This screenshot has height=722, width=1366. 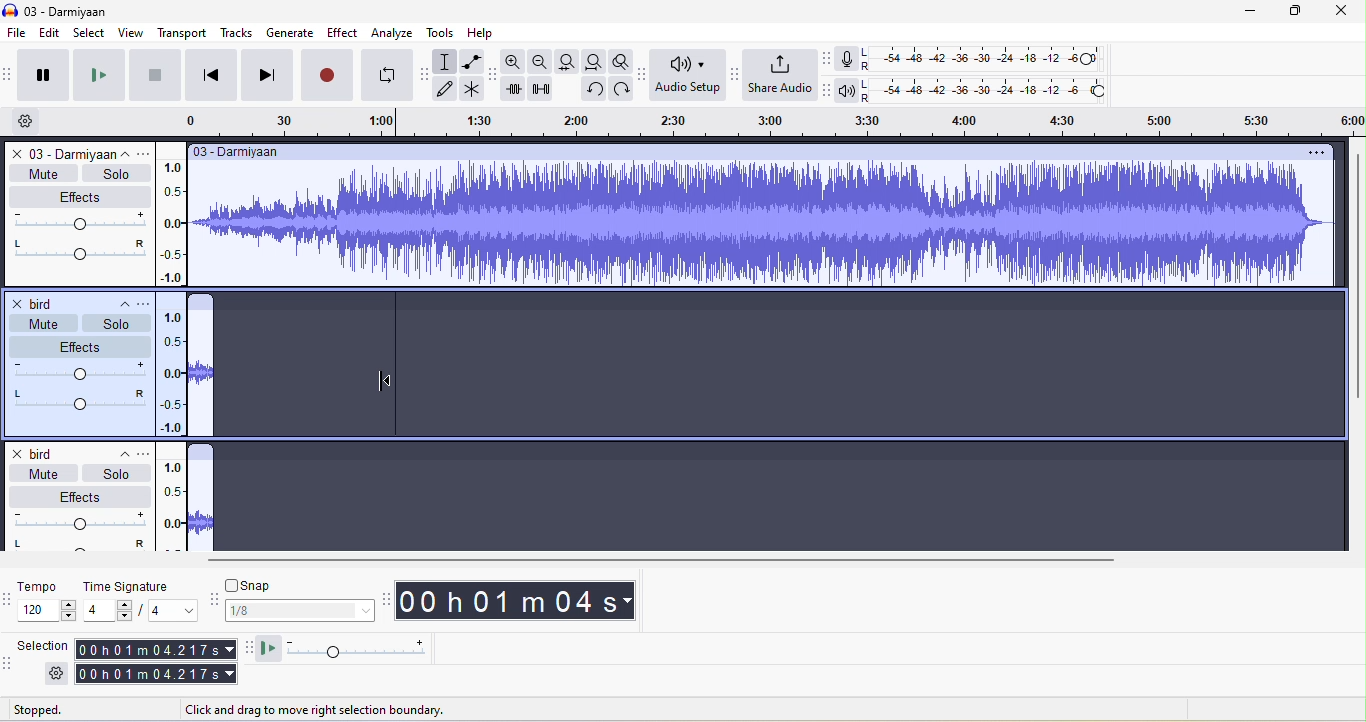 I want to click on audacity time toolbar, so click(x=388, y=598).